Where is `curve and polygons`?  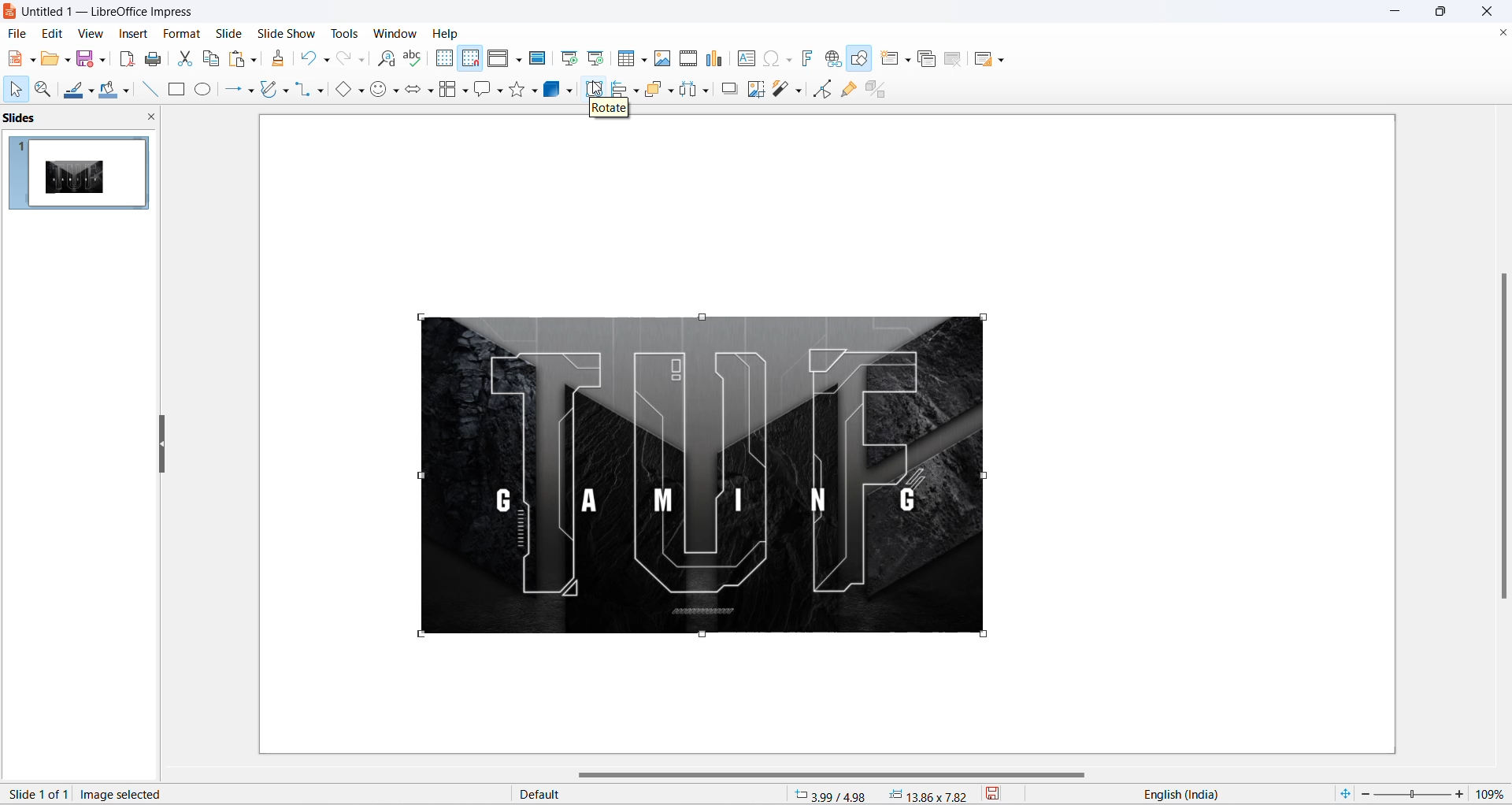
curve and polygons is located at coordinates (286, 92).